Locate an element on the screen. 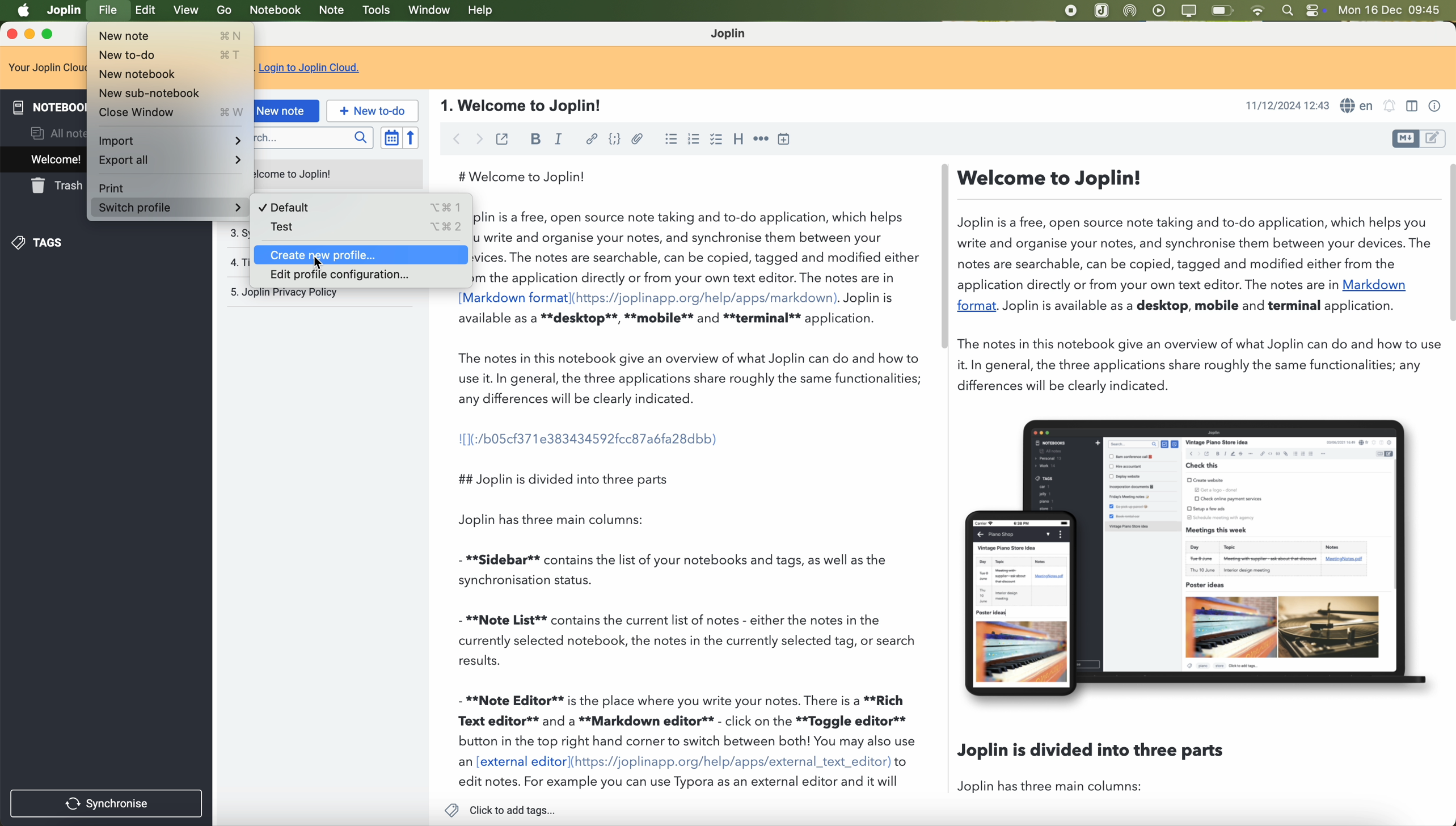 The width and height of the screenshot is (1456, 826). [Markdown format] is located at coordinates (513, 298).